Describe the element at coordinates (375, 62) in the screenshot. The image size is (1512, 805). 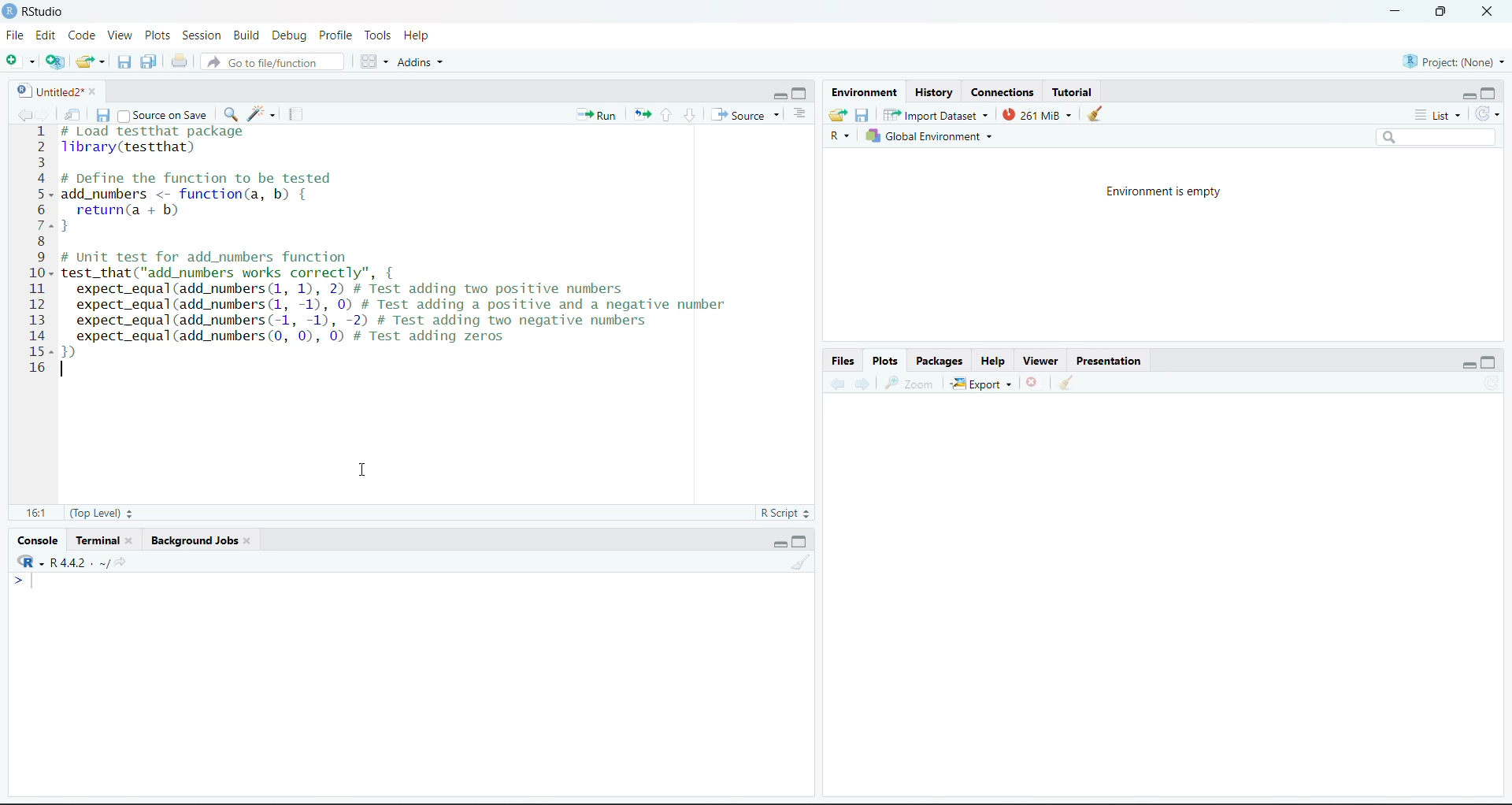
I see `Workspace panes` at that location.